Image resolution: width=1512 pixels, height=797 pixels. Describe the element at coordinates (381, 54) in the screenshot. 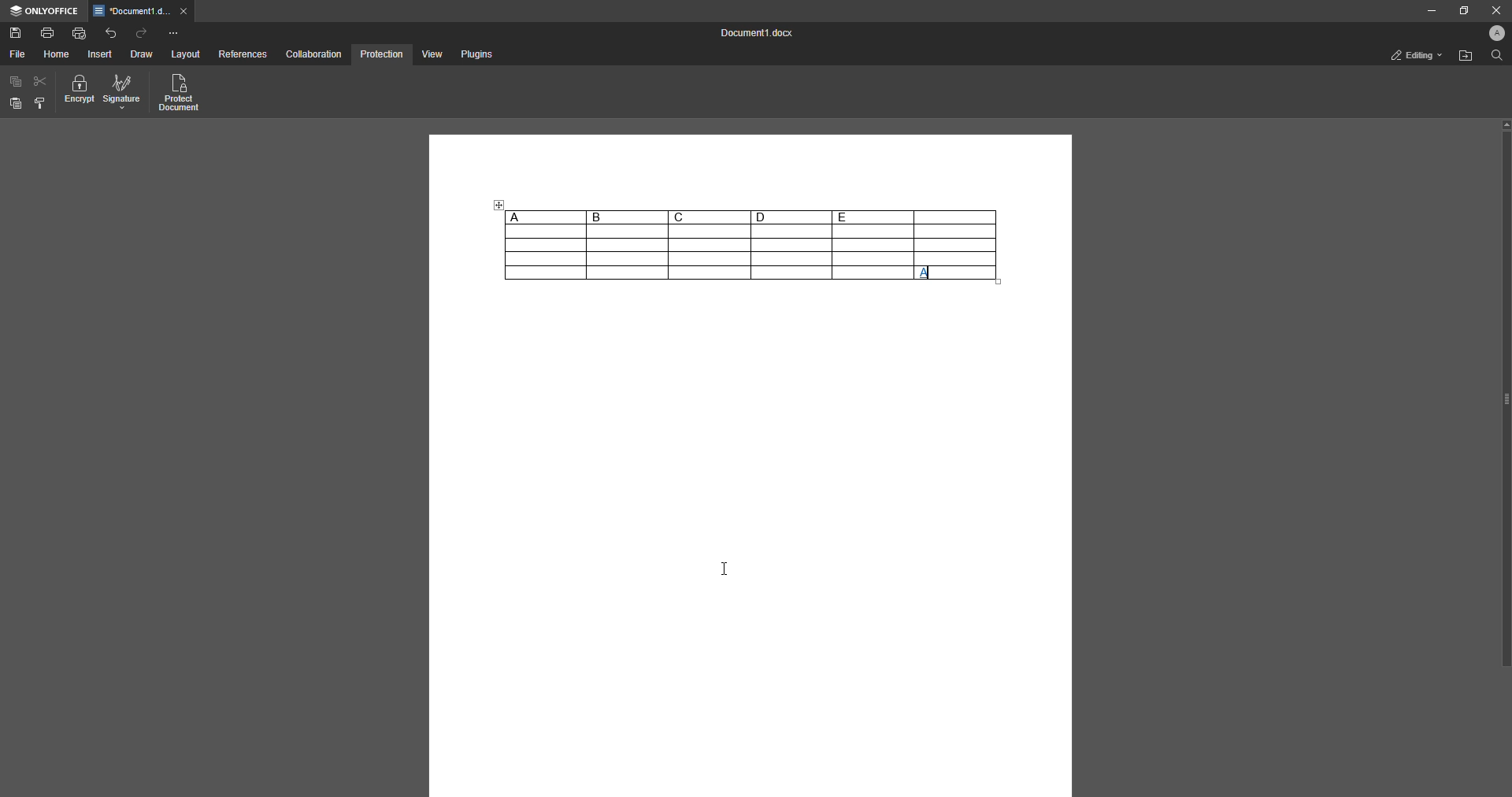

I see `Protection` at that location.